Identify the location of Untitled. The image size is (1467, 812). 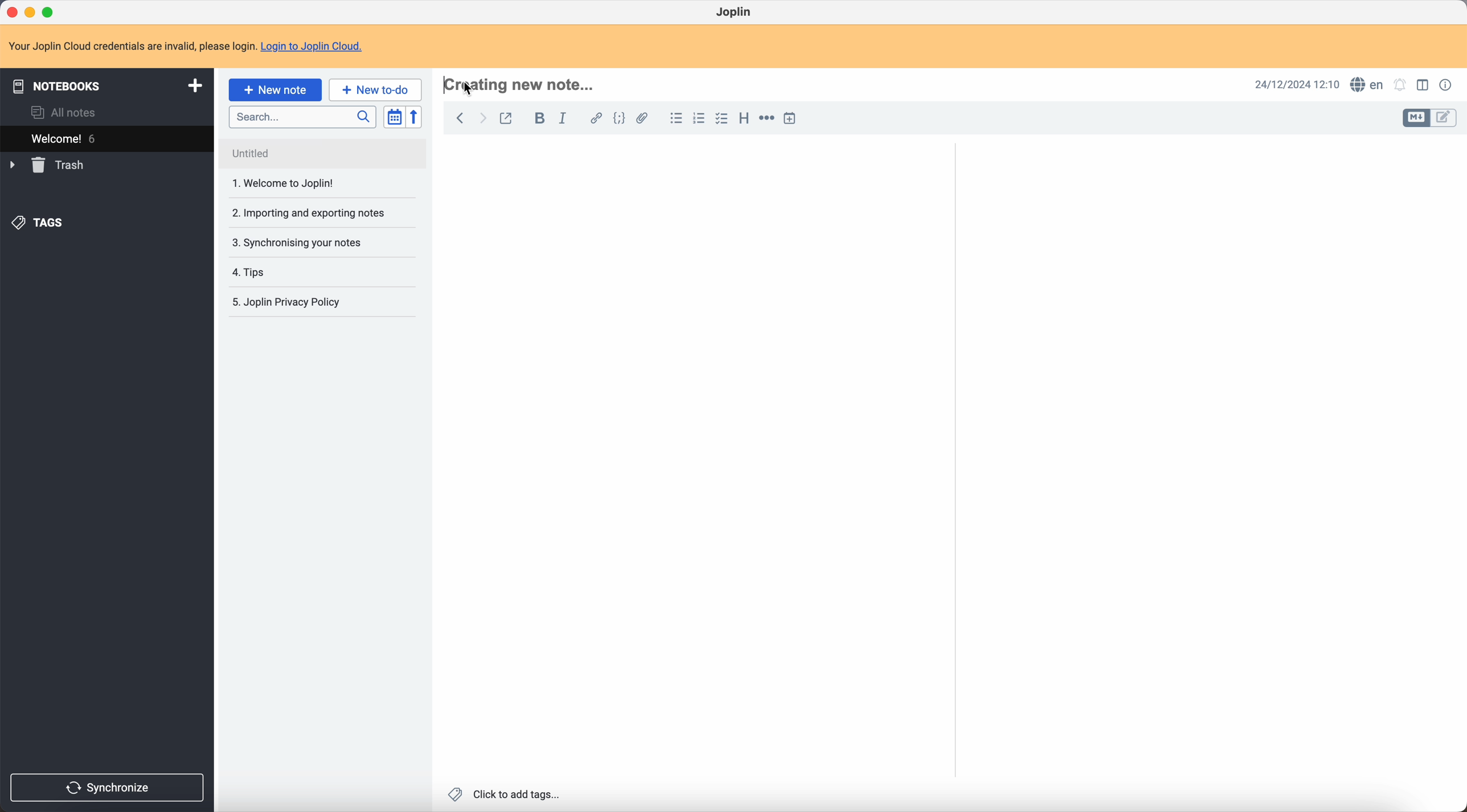
(317, 151).